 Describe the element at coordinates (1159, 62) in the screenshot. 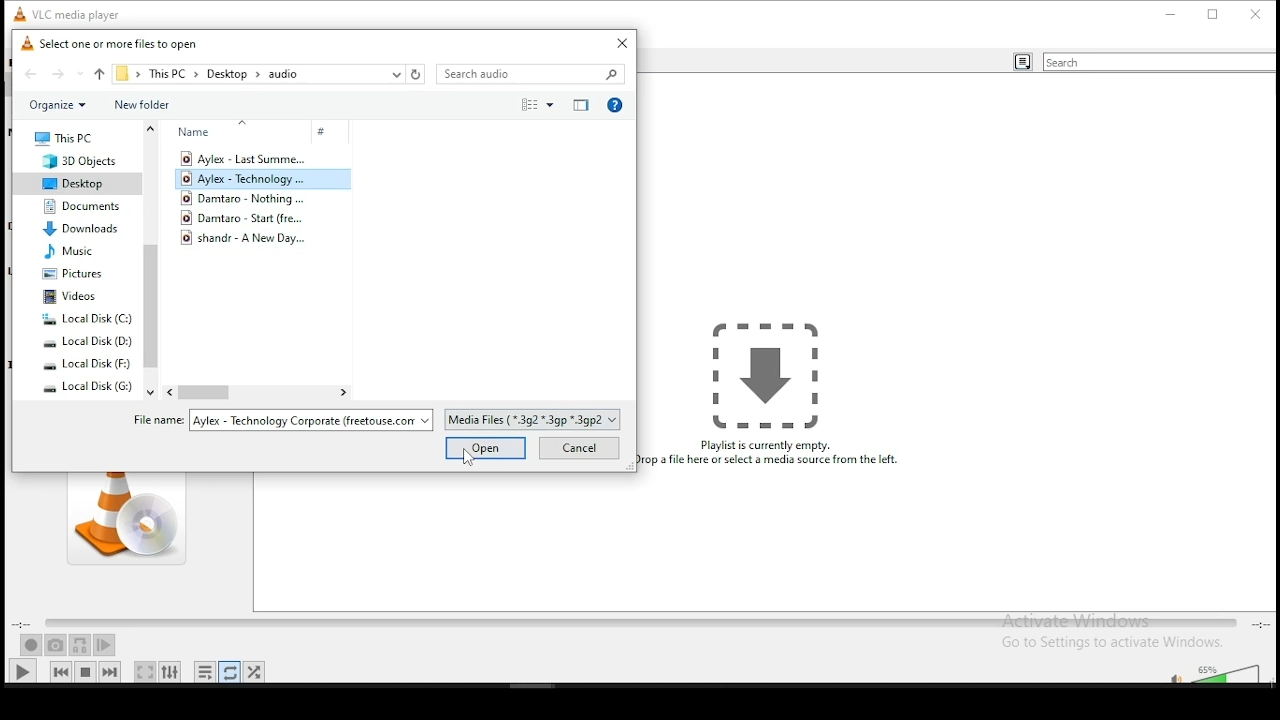

I see `search bar` at that location.